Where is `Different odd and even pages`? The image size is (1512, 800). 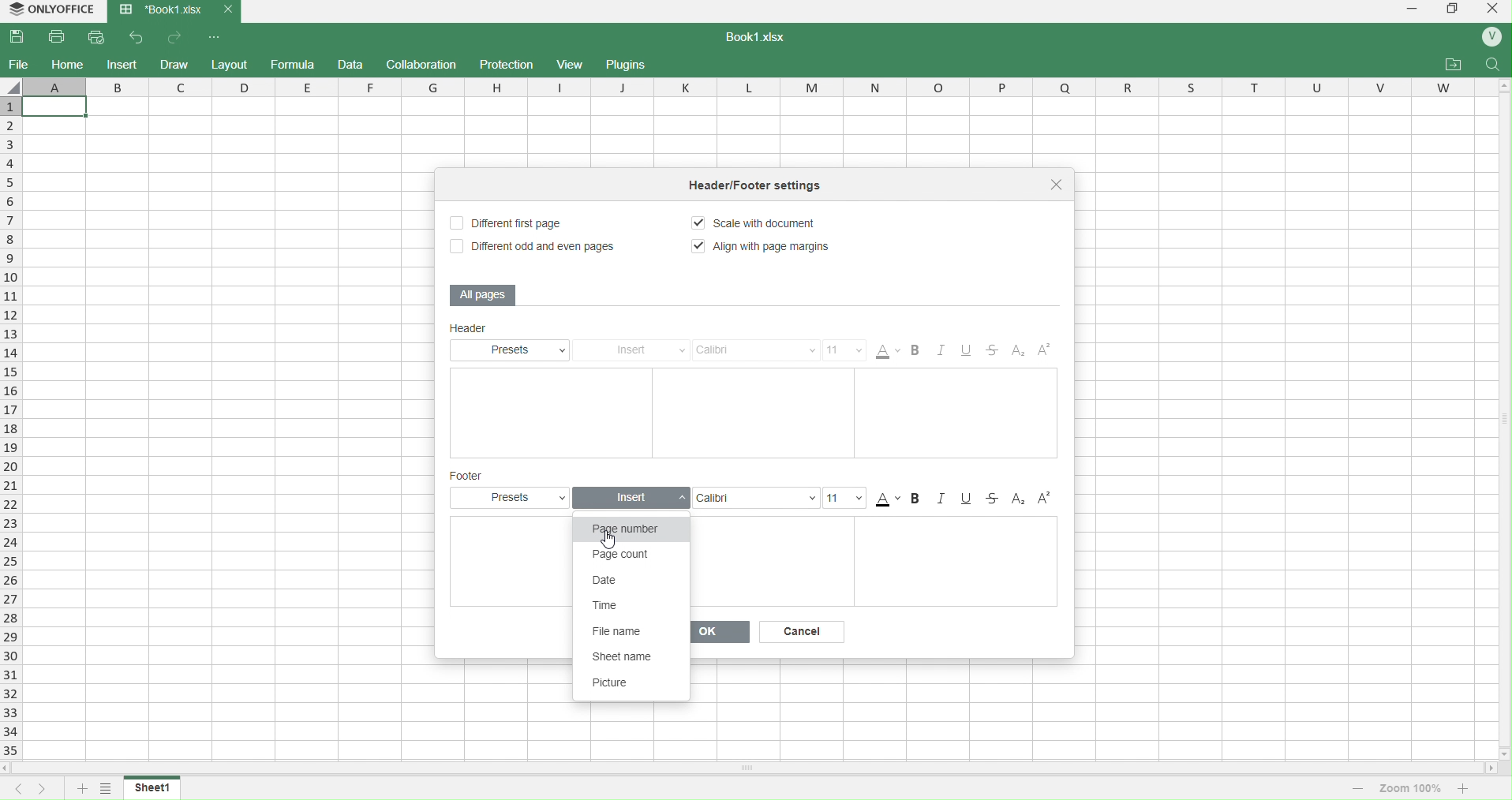
Different odd and even pages is located at coordinates (531, 248).